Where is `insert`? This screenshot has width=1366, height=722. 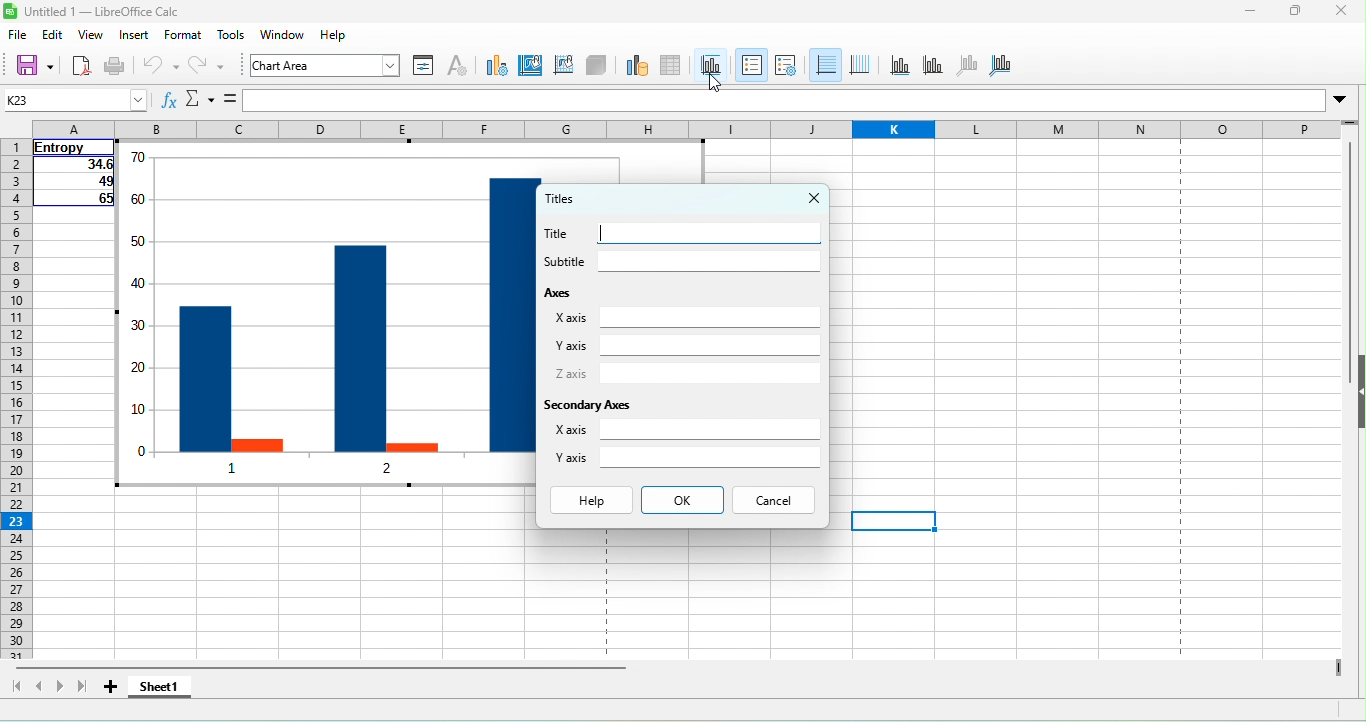
insert is located at coordinates (137, 37).